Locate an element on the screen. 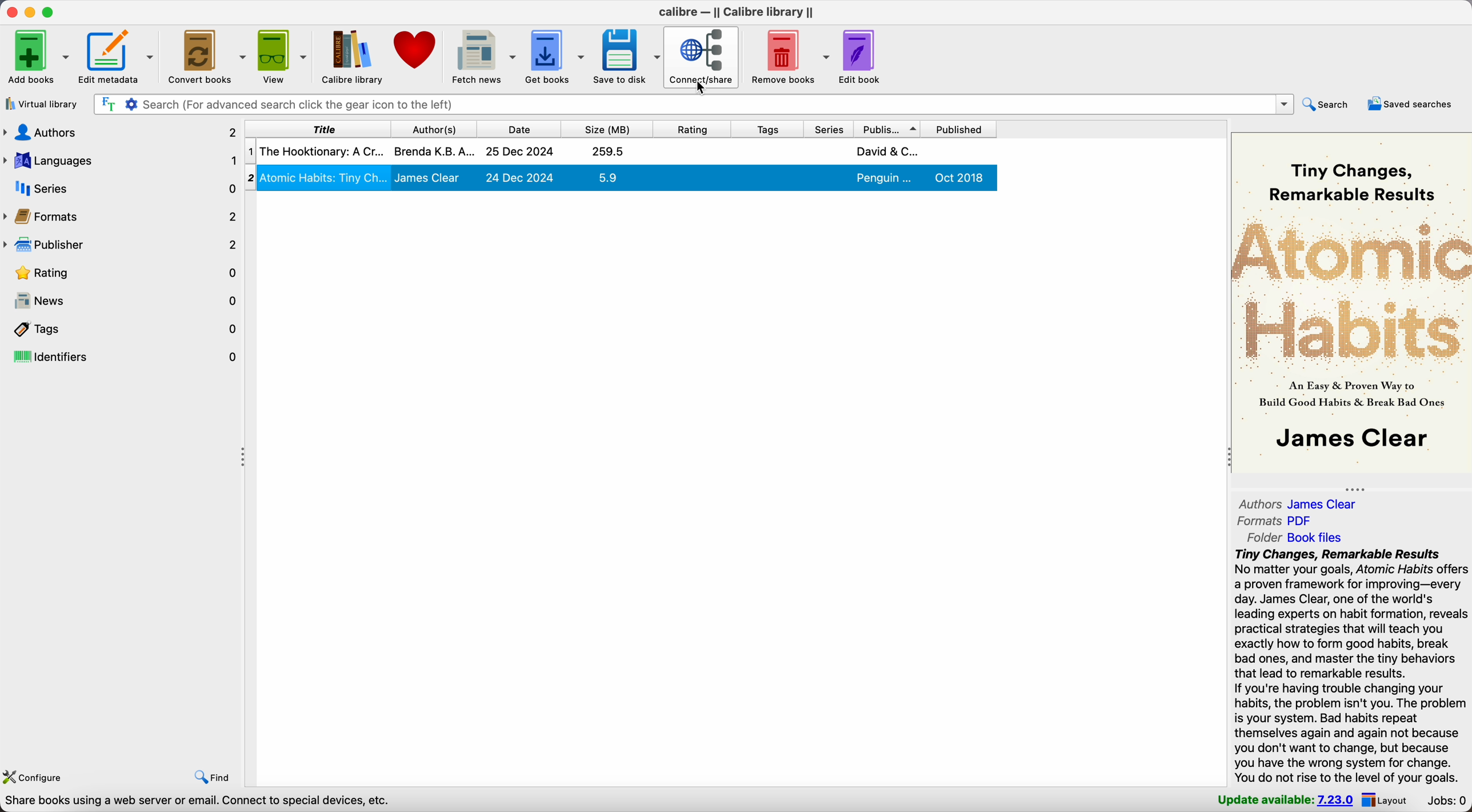  David & C is located at coordinates (887, 151).